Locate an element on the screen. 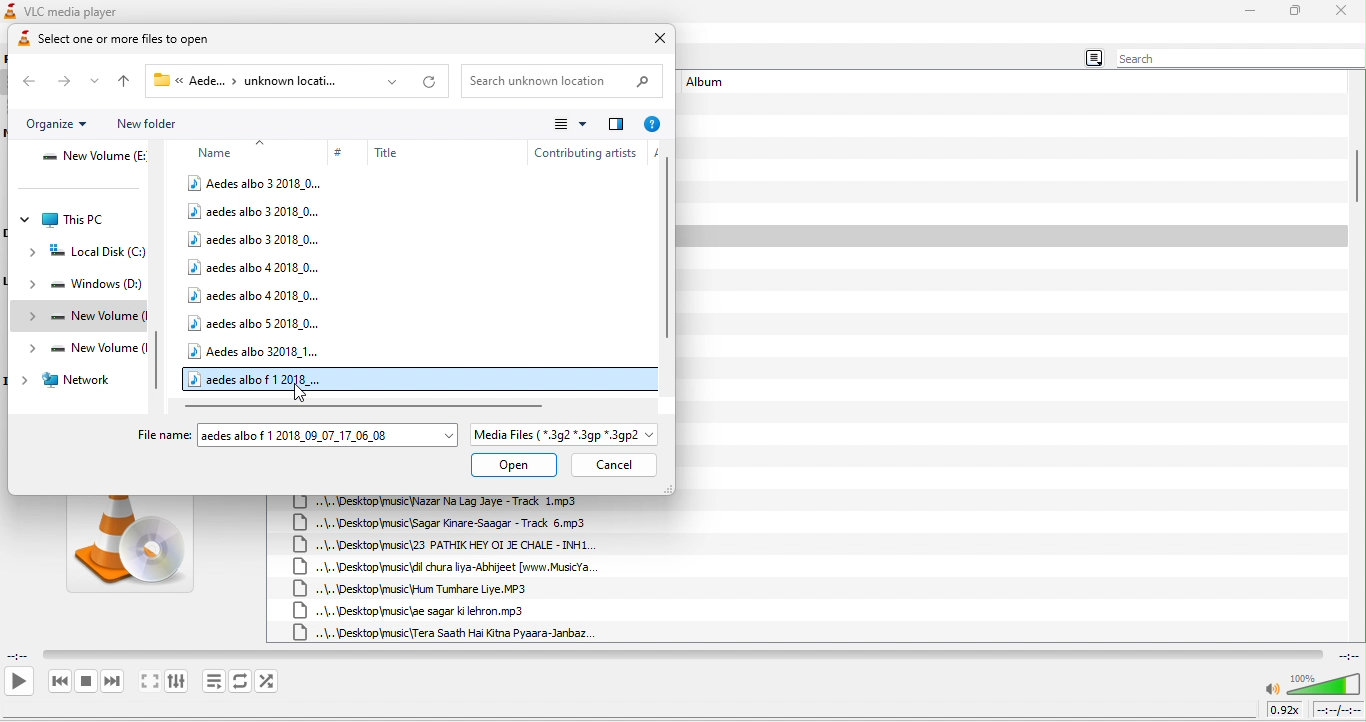 The height and width of the screenshot is (722, 1366). ..\..\Desktopmusic\dil chura liya-Abhijeet [www.MusicYa. is located at coordinates (456, 567).